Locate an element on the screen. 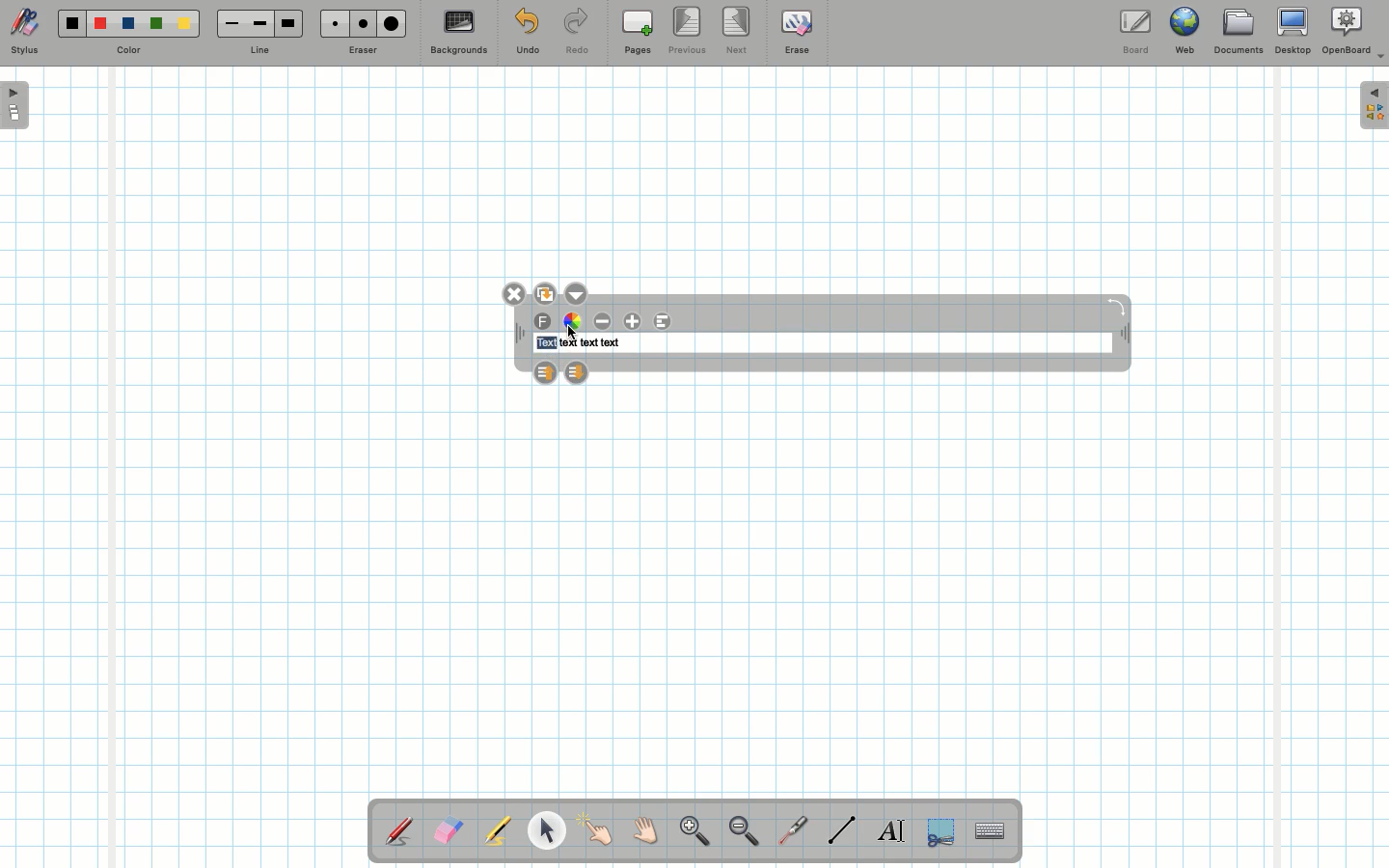  Yellow is located at coordinates (184, 23).